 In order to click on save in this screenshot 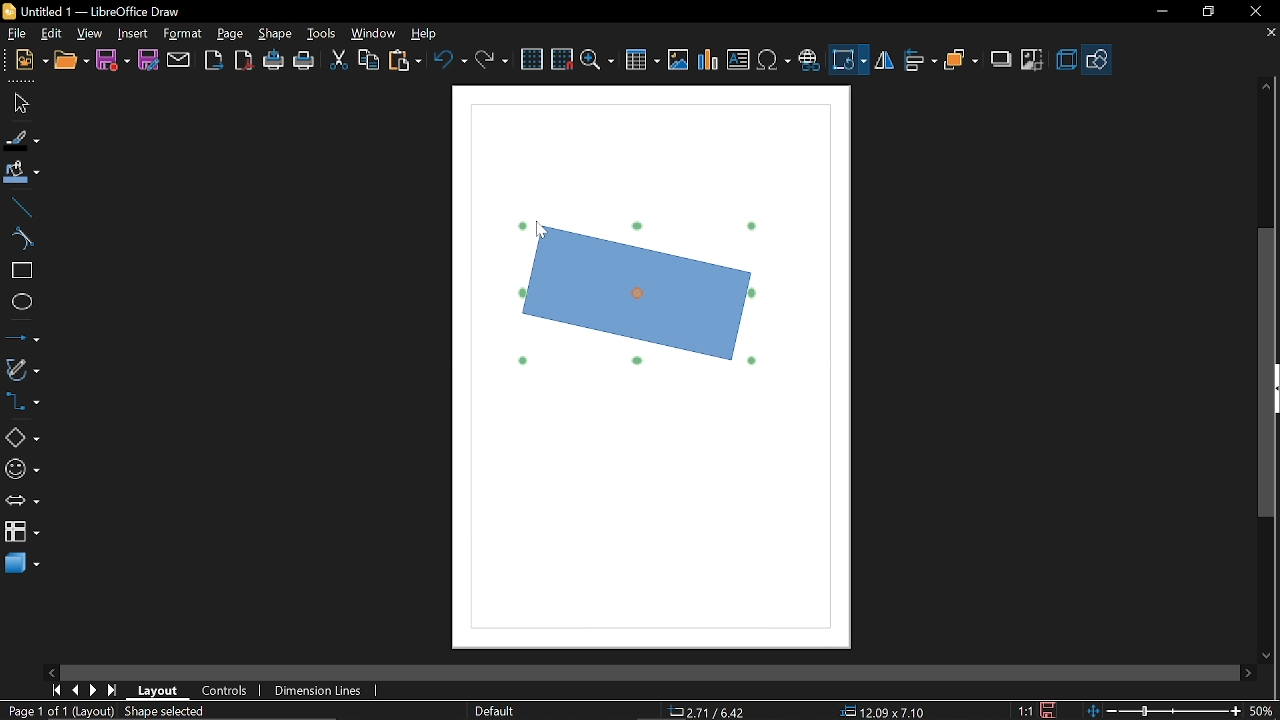, I will do `click(1051, 709)`.